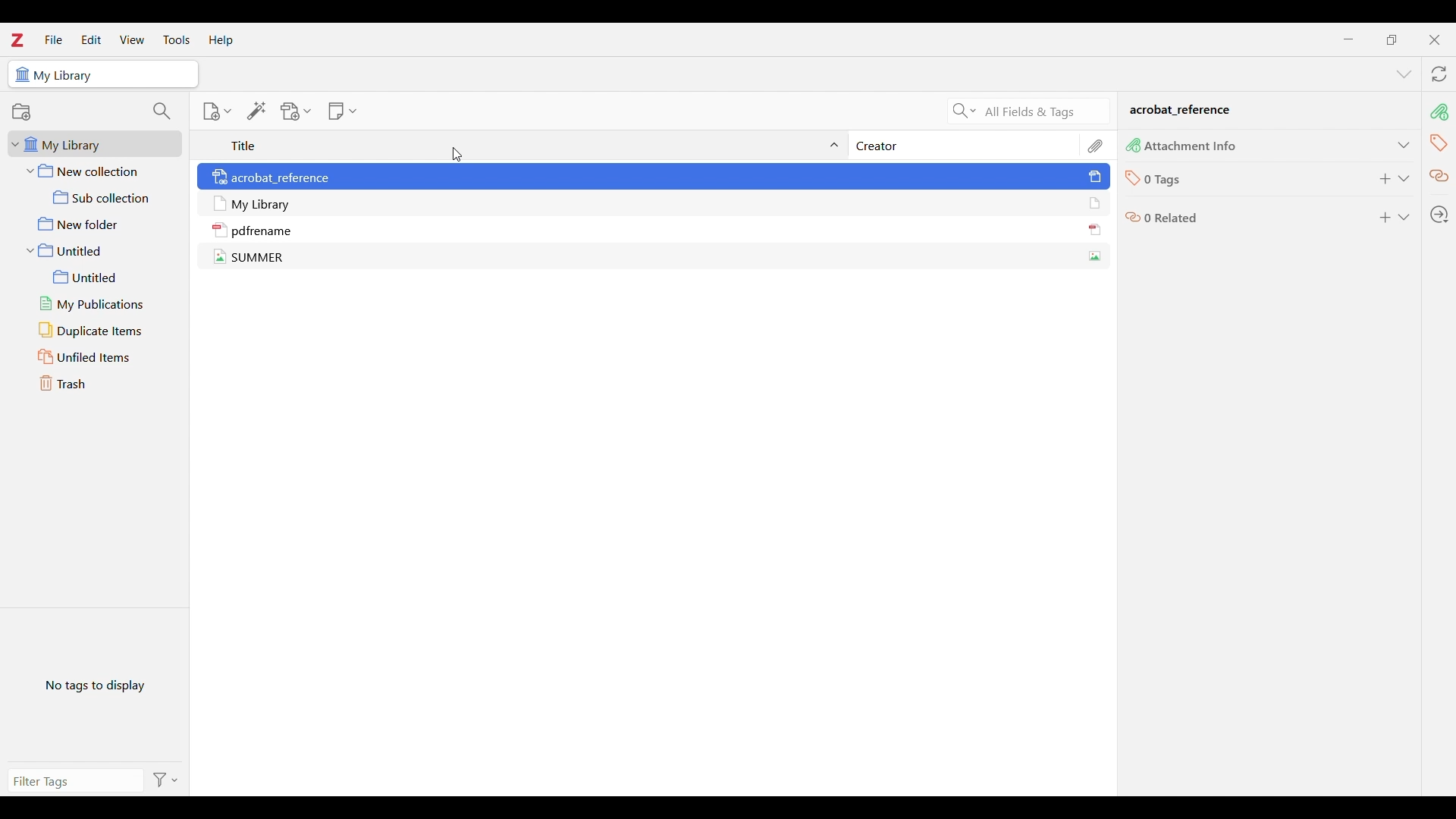 The width and height of the screenshot is (1456, 819). I want to click on Duplicate items folder, so click(101, 331).